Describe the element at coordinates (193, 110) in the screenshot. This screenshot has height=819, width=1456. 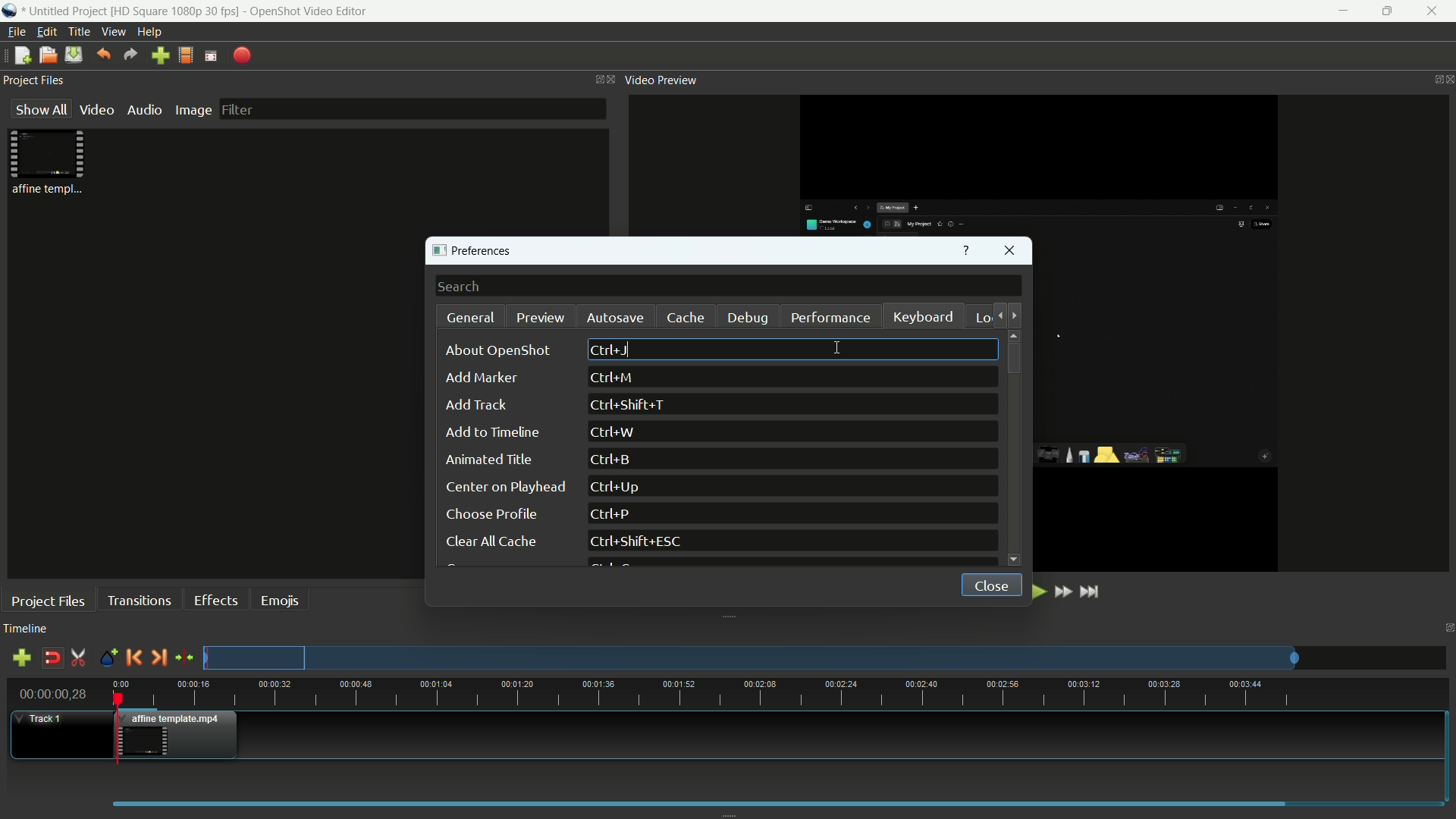
I see `image` at that location.